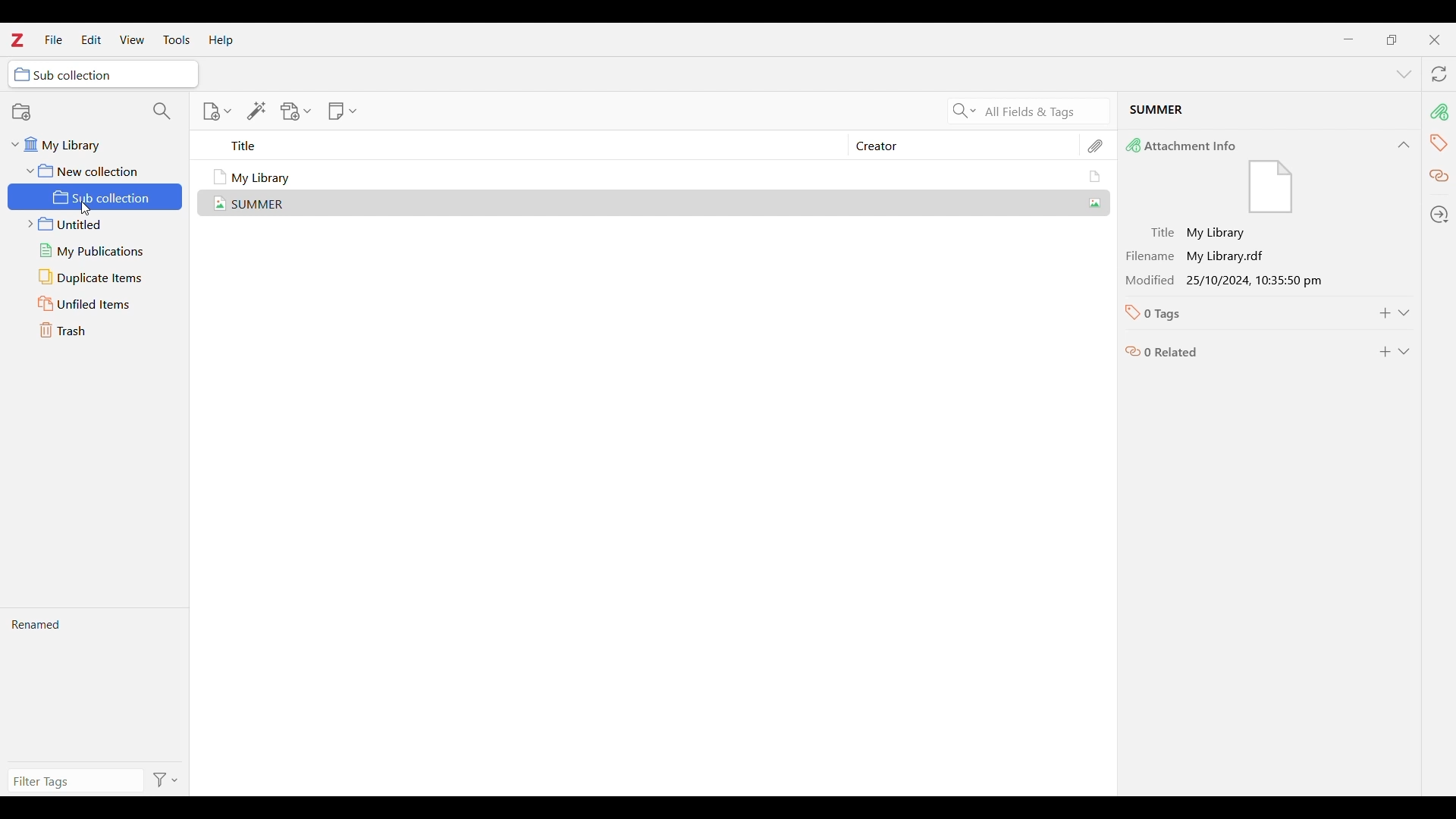 The height and width of the screenshot is (819, 1456). Describe the element at coordinates (1392, 39) in the screenshot. I see `maximize` at that location.